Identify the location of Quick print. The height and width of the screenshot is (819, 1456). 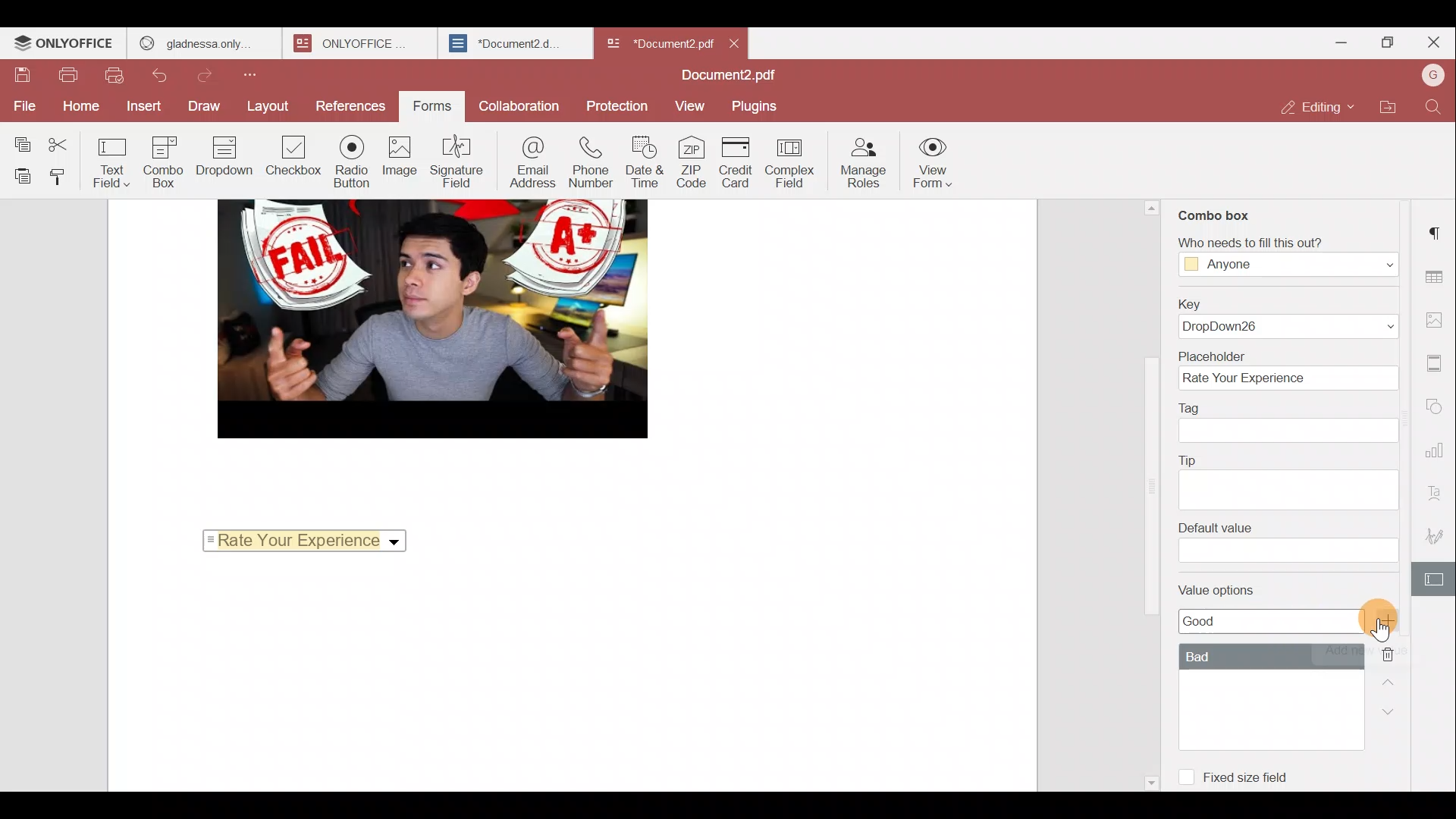
(114, 76).